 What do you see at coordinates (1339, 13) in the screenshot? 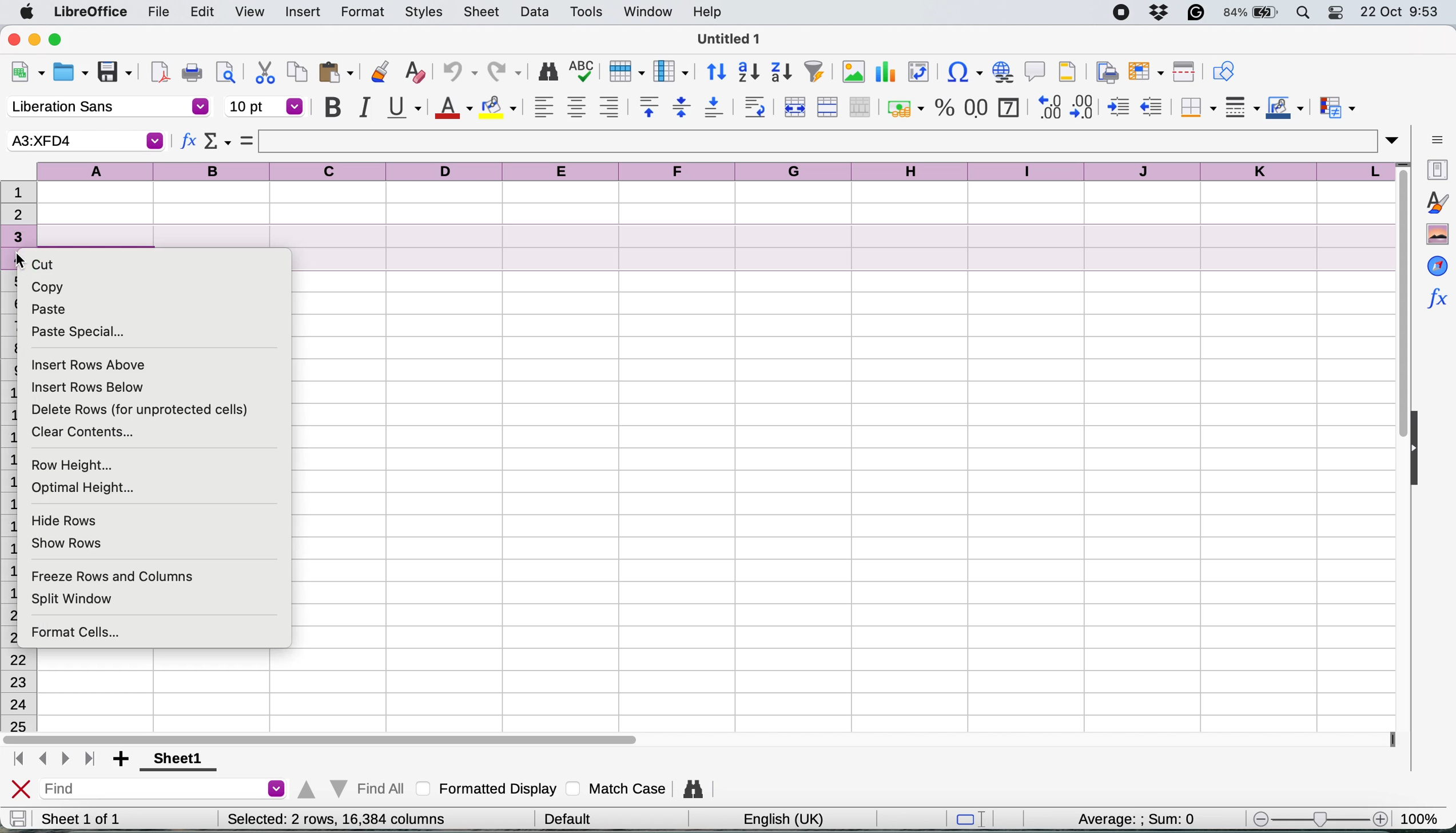
I see `control center` at bounding box center [1339, 13].